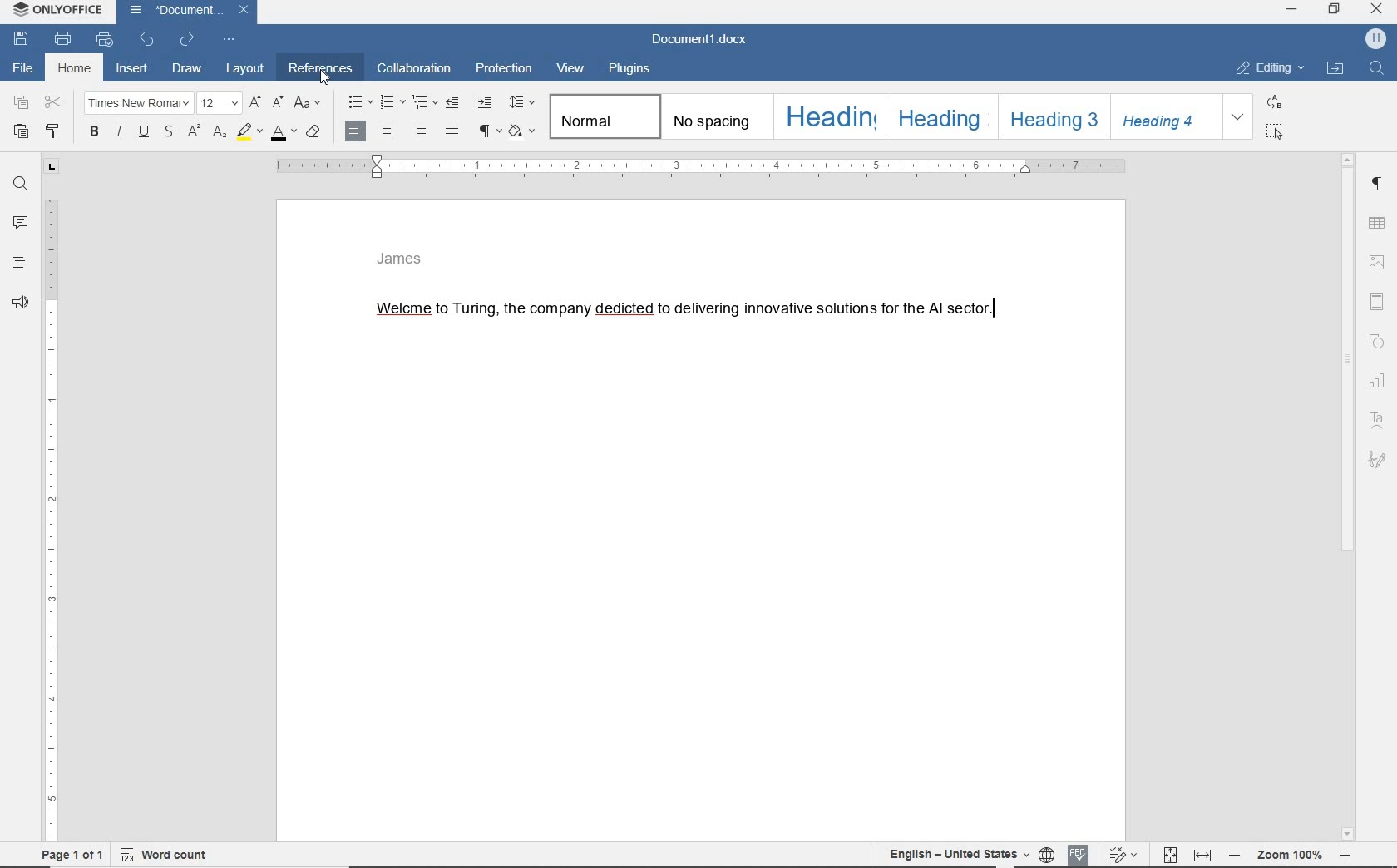 The width and height of the screenshot is (1397, 868). Describe the element at coordinates (64, 40) in the screenshot. I see `print` at that location.